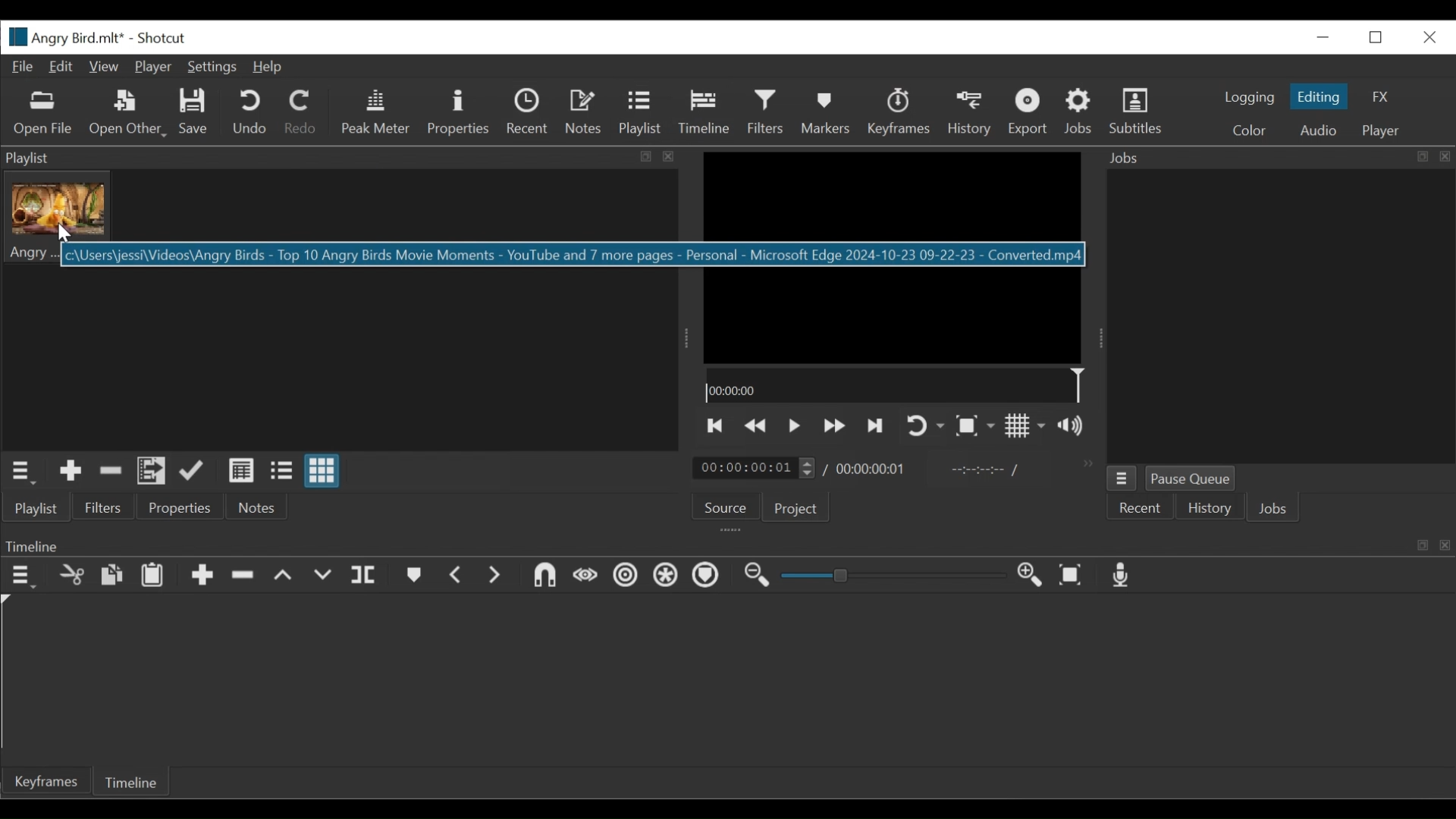 The image size is (1456, 819). I want to click on View as icons, so click(324, 471).